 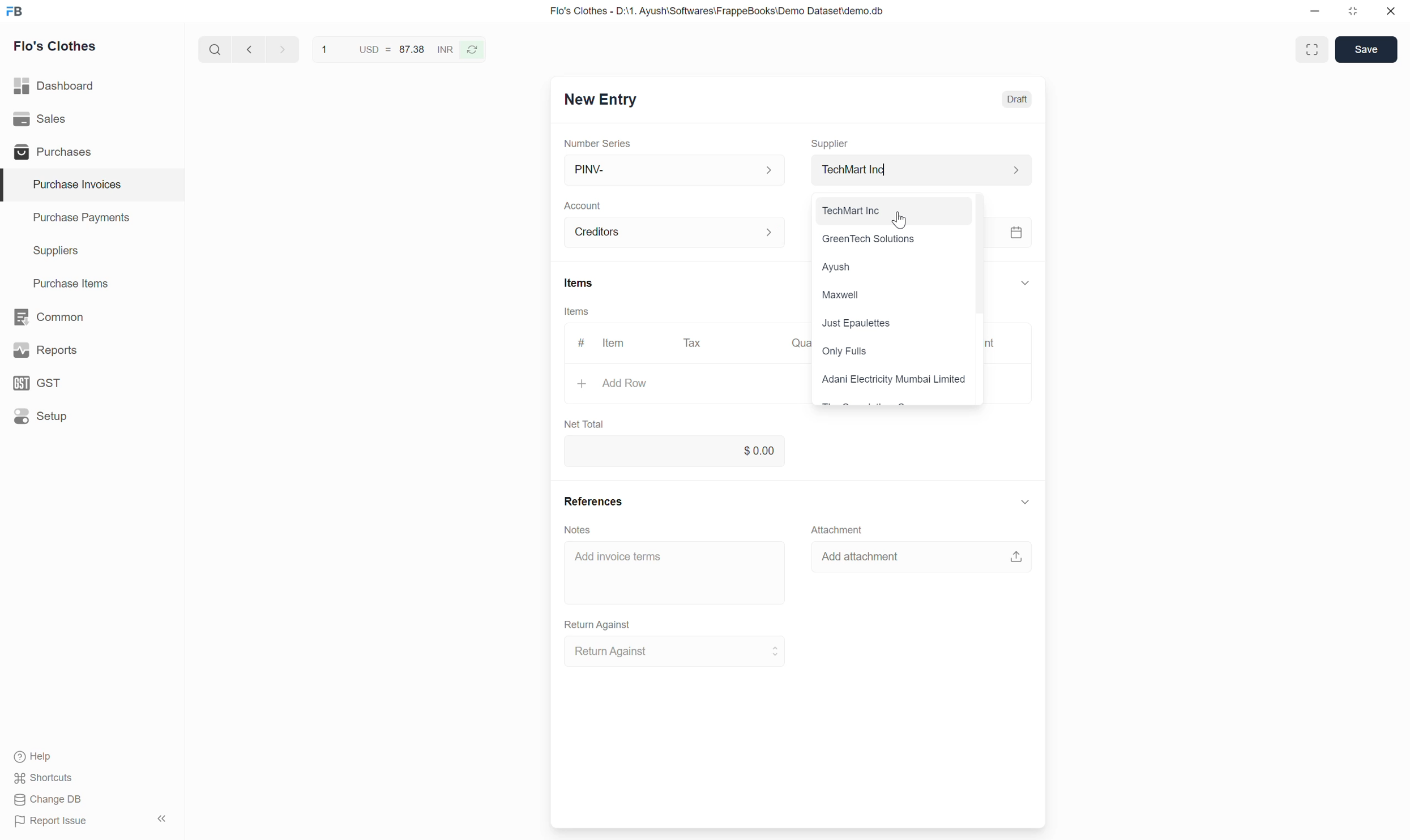 I want to click on PINV-, so click(x=670, y=170).